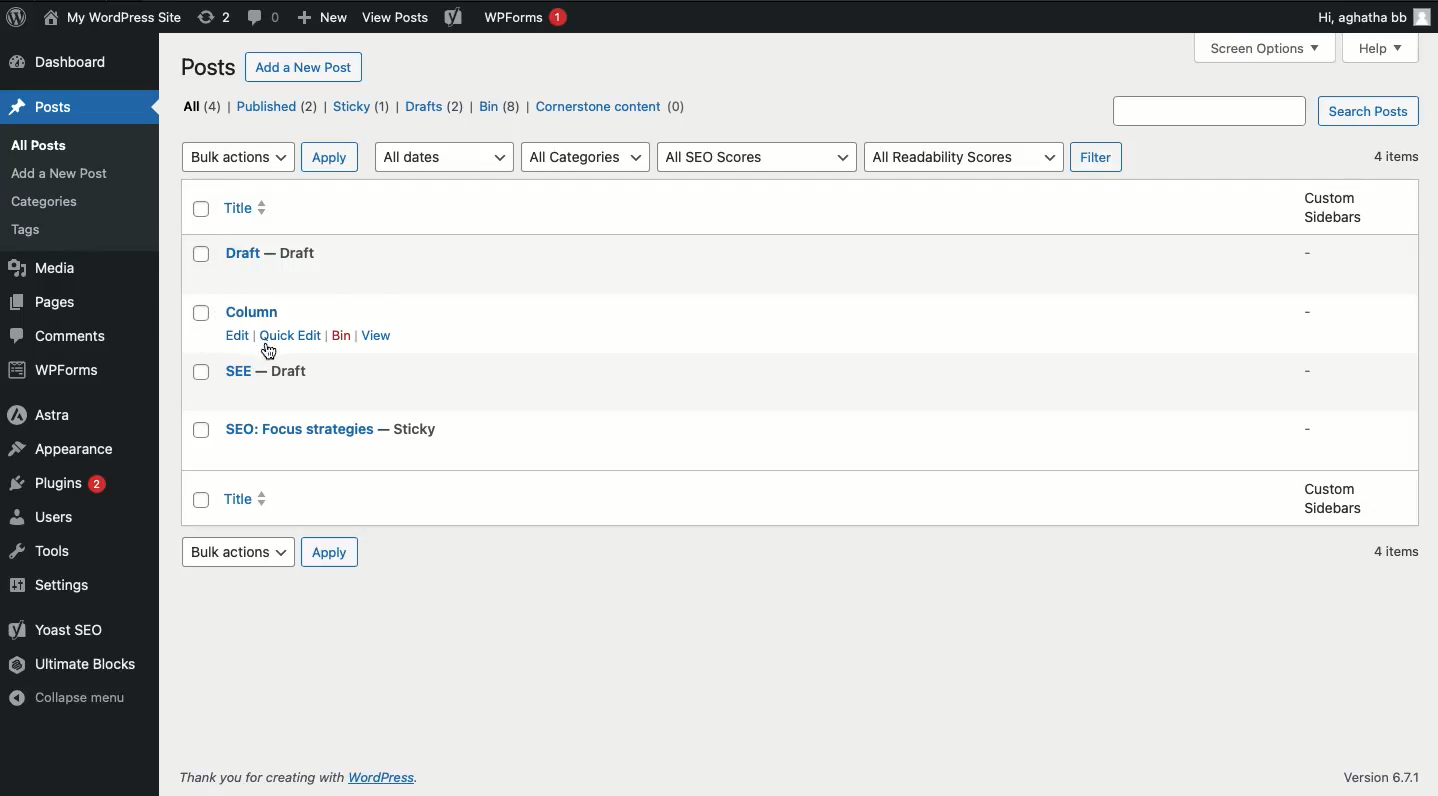 The width and height of the screenshot is (1438, 796). What do you see at coordinates (257, 778) in the screenshot?
I see `` at bounding box center [257, 778].